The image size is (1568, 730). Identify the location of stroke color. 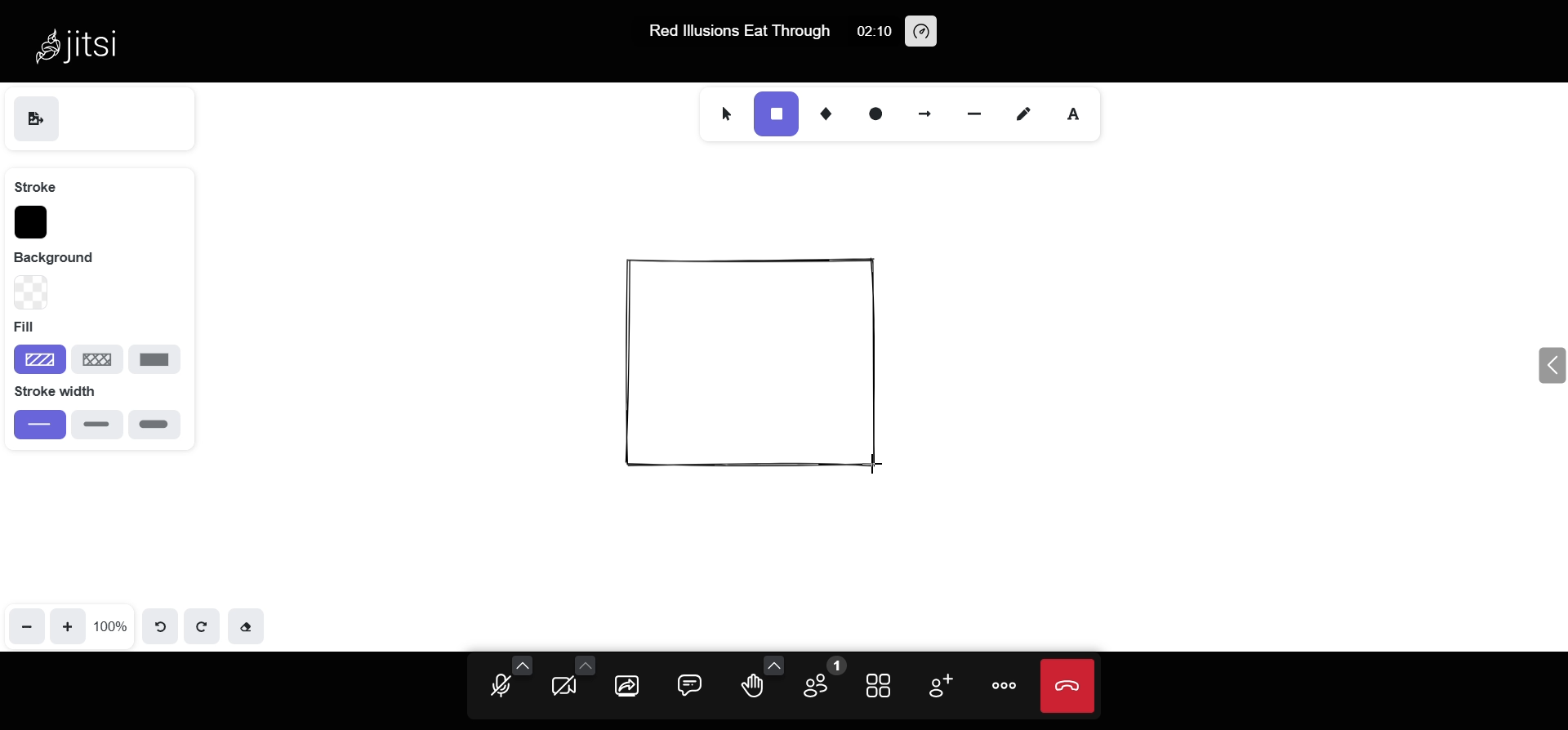
(31, 222).